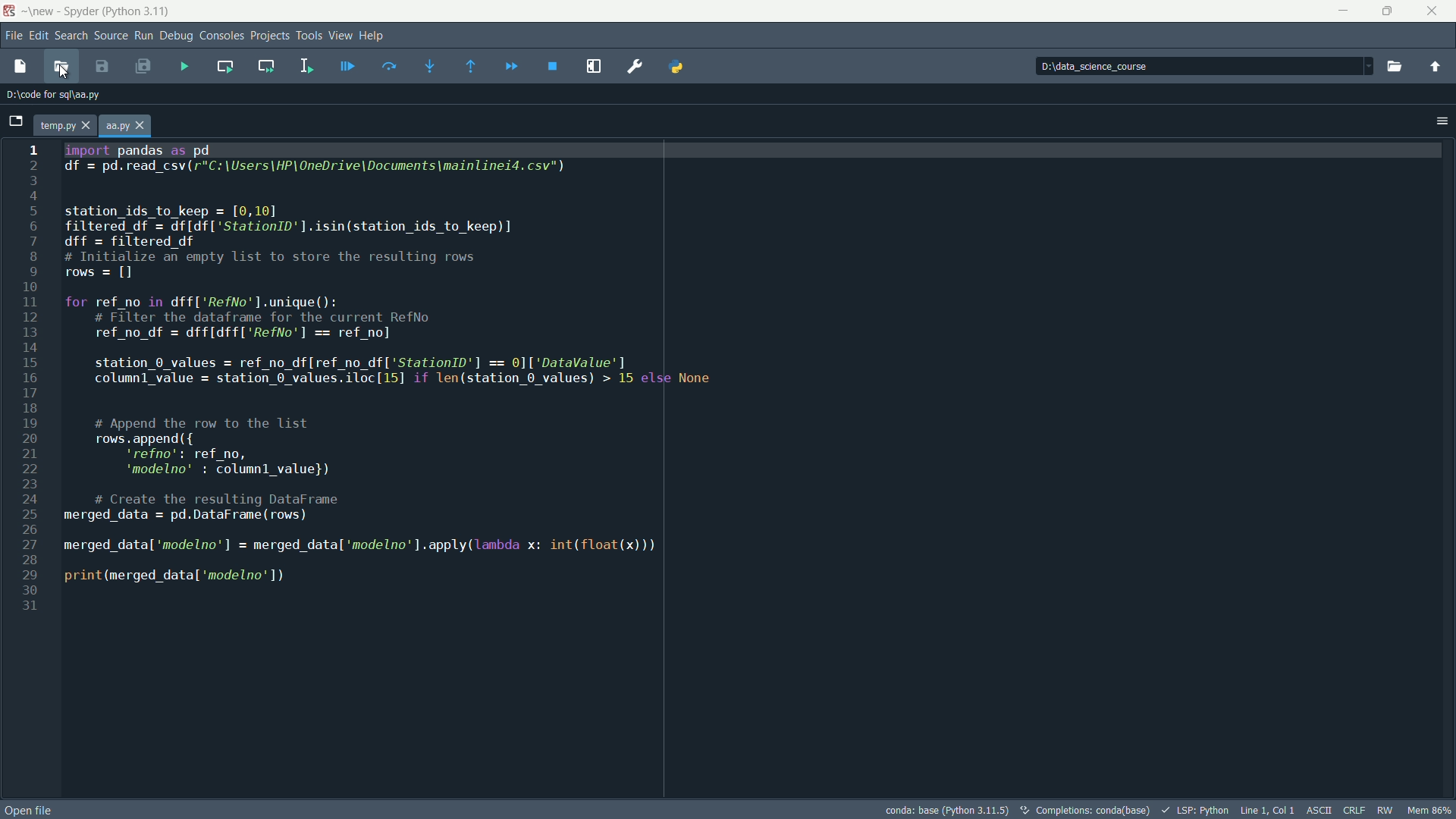 This screenshot has width=1456, height=819. What do you see at coordinates (1435, 11) in the screenshot?
I see `close` at bounding box center [1435, 11].